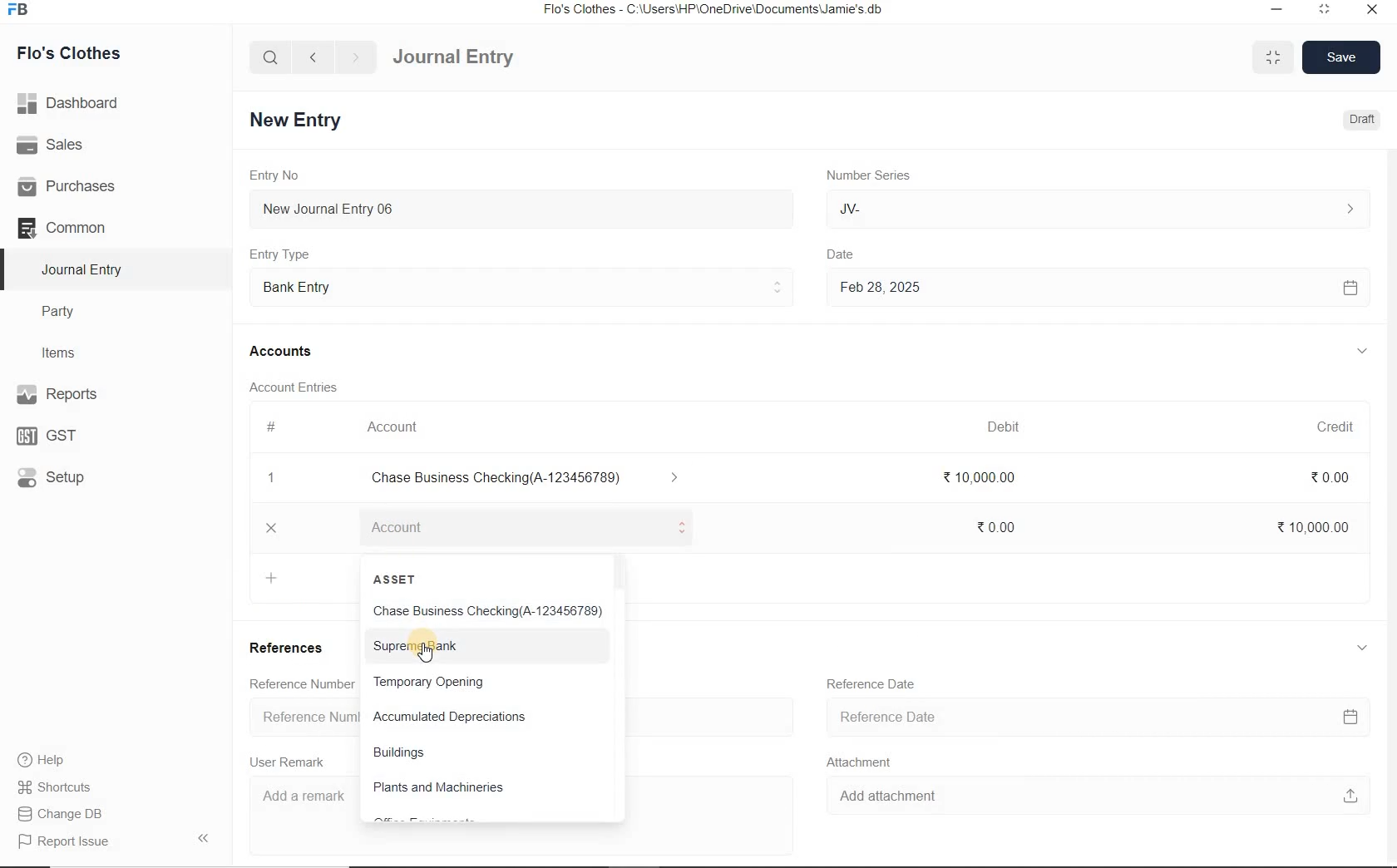  I want to click on Report Issue, so click(63, 841).